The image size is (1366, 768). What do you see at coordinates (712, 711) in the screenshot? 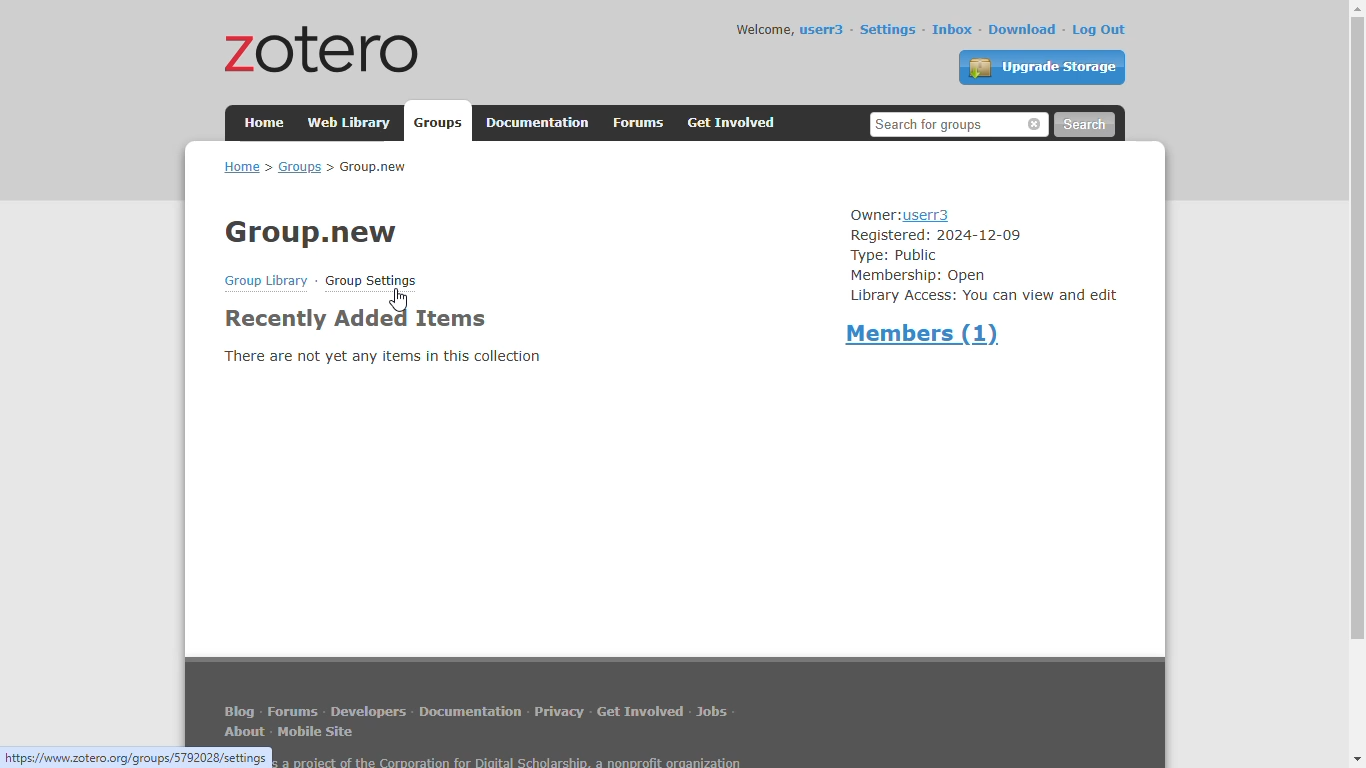
I see `jobs` at bounding box center [712, 711].